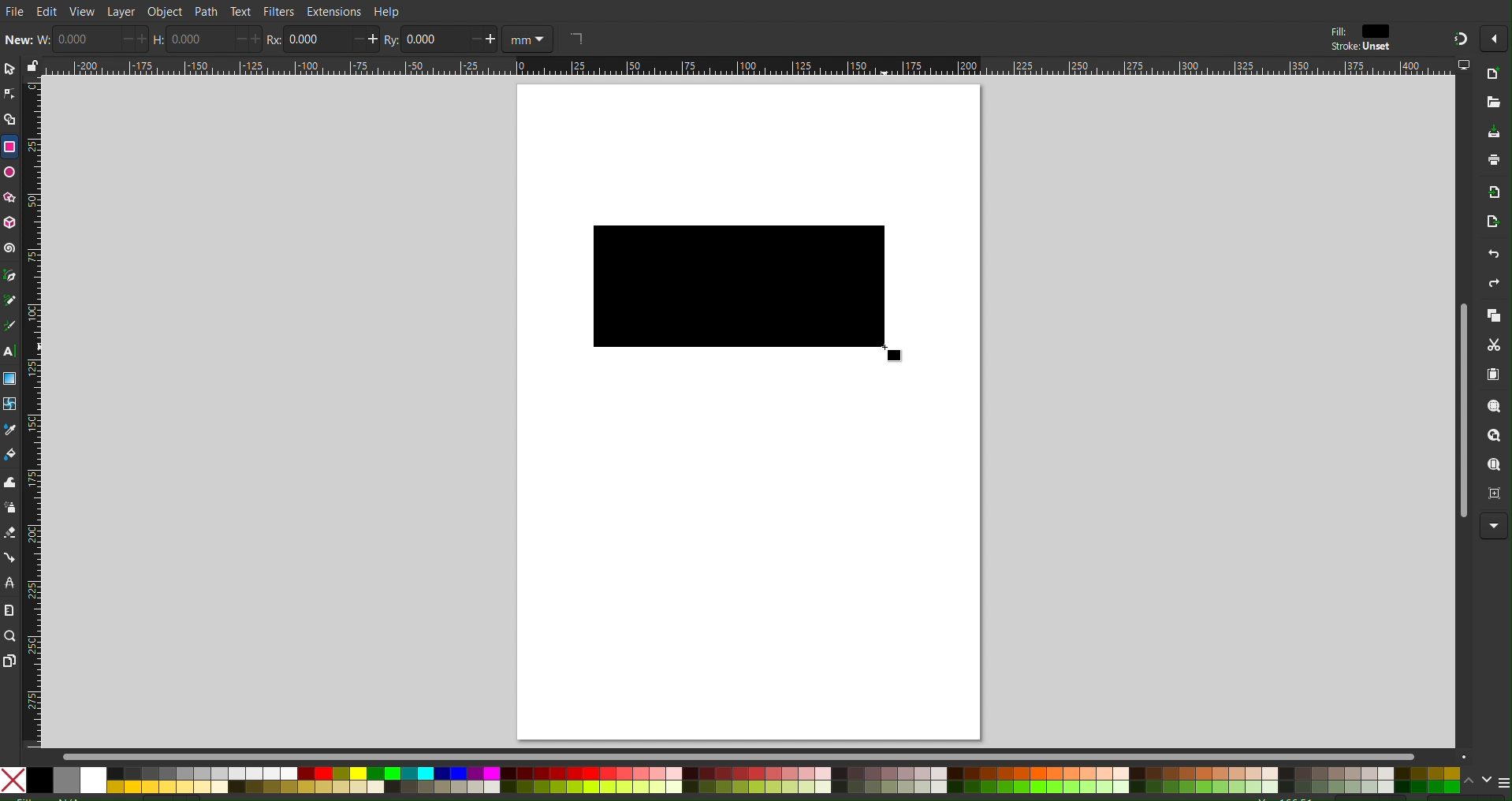 The height and width of the screenshot is (801, 1512). I want to click on menu, so click(1503, 782).